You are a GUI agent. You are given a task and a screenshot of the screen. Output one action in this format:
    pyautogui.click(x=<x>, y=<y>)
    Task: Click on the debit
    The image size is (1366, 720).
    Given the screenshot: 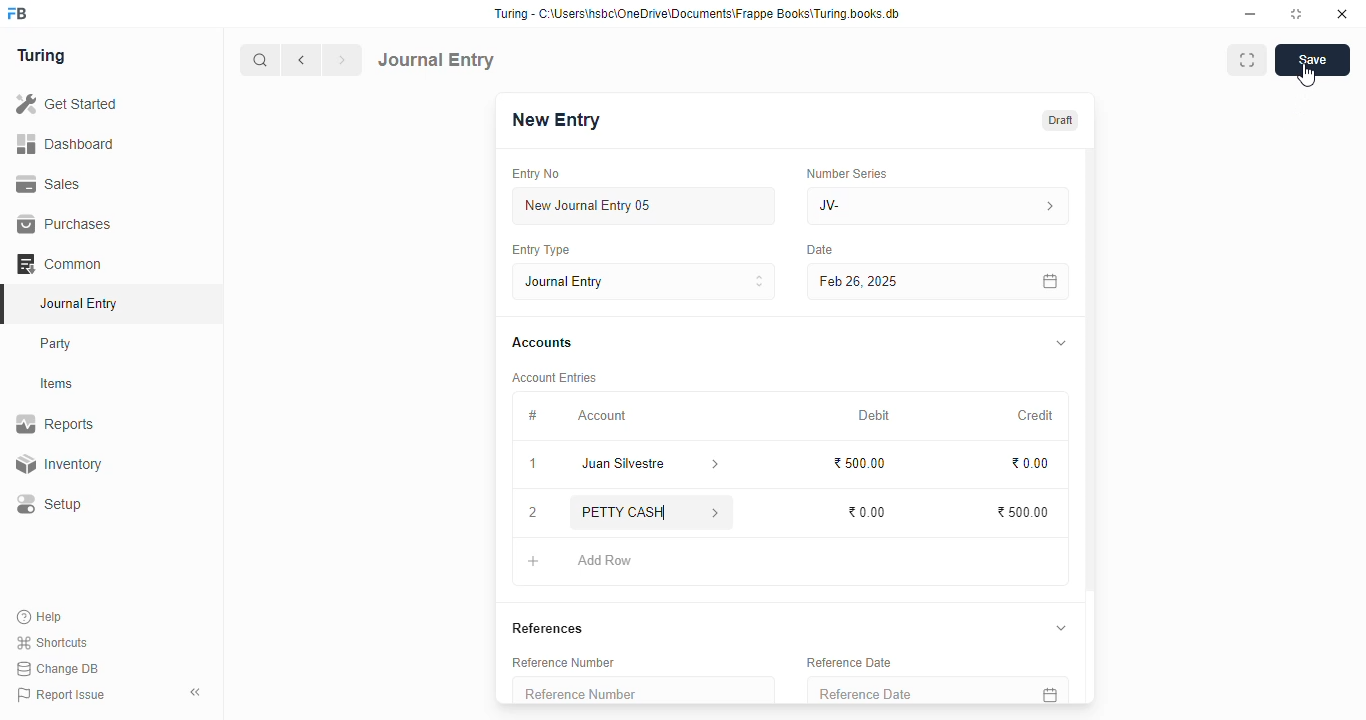 What is the action you would take?
    pyautogui.click(x=875, y=415)
    